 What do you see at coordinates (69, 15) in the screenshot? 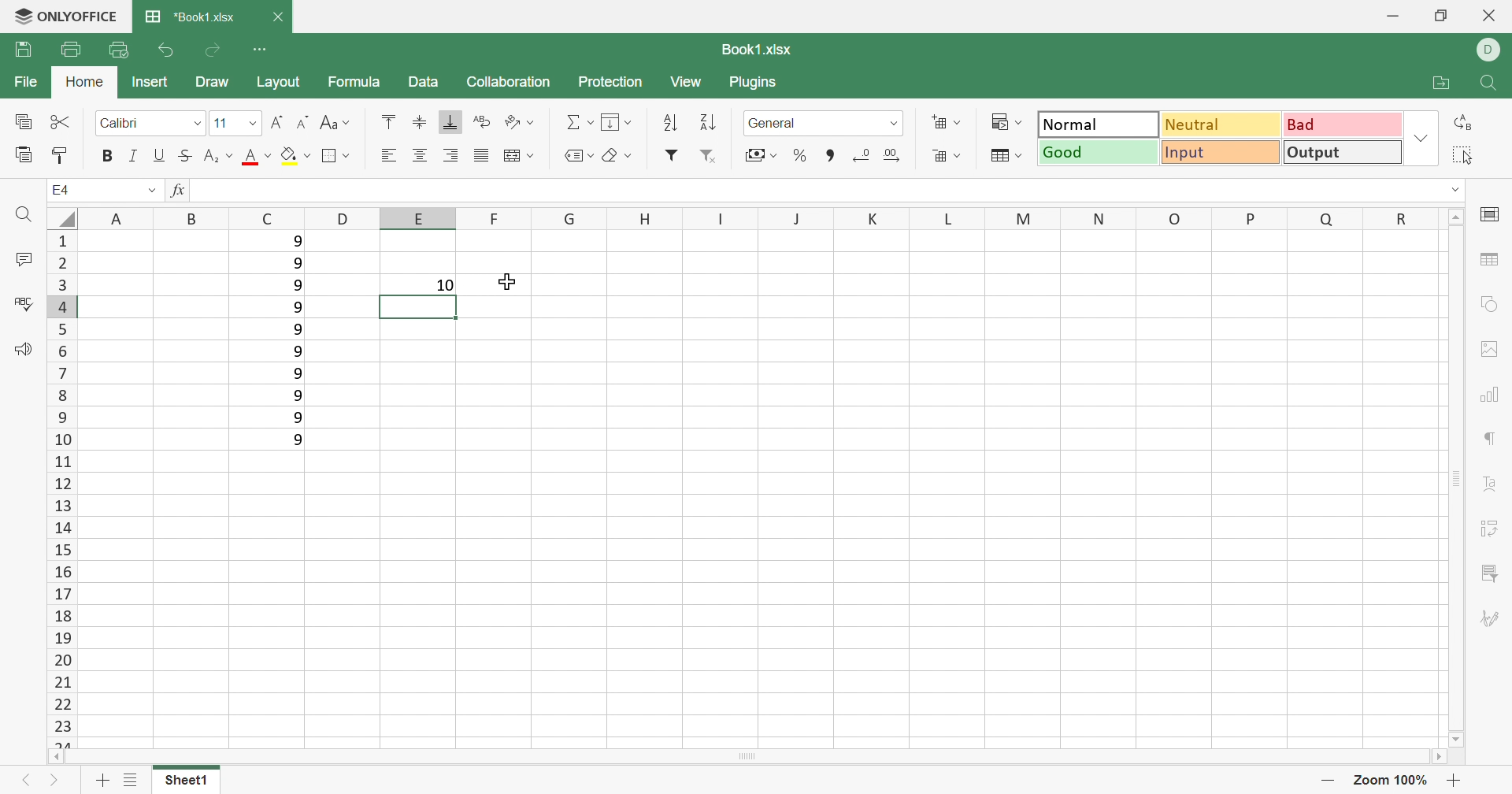
I see `ONLYOFFICE` at bounding box center [69, 15].